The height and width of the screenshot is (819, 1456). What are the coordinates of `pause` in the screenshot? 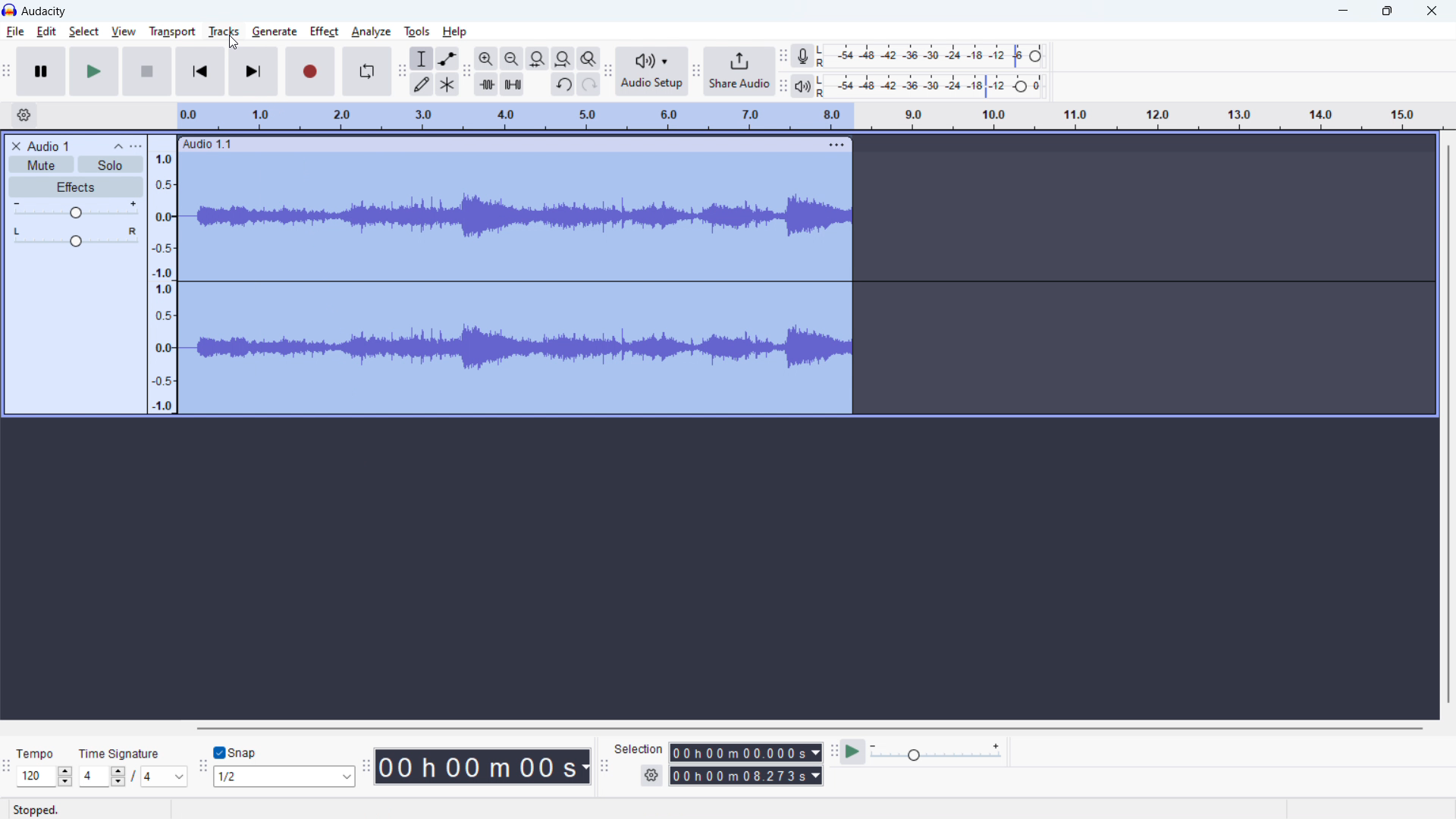 It's located at (41, 71).